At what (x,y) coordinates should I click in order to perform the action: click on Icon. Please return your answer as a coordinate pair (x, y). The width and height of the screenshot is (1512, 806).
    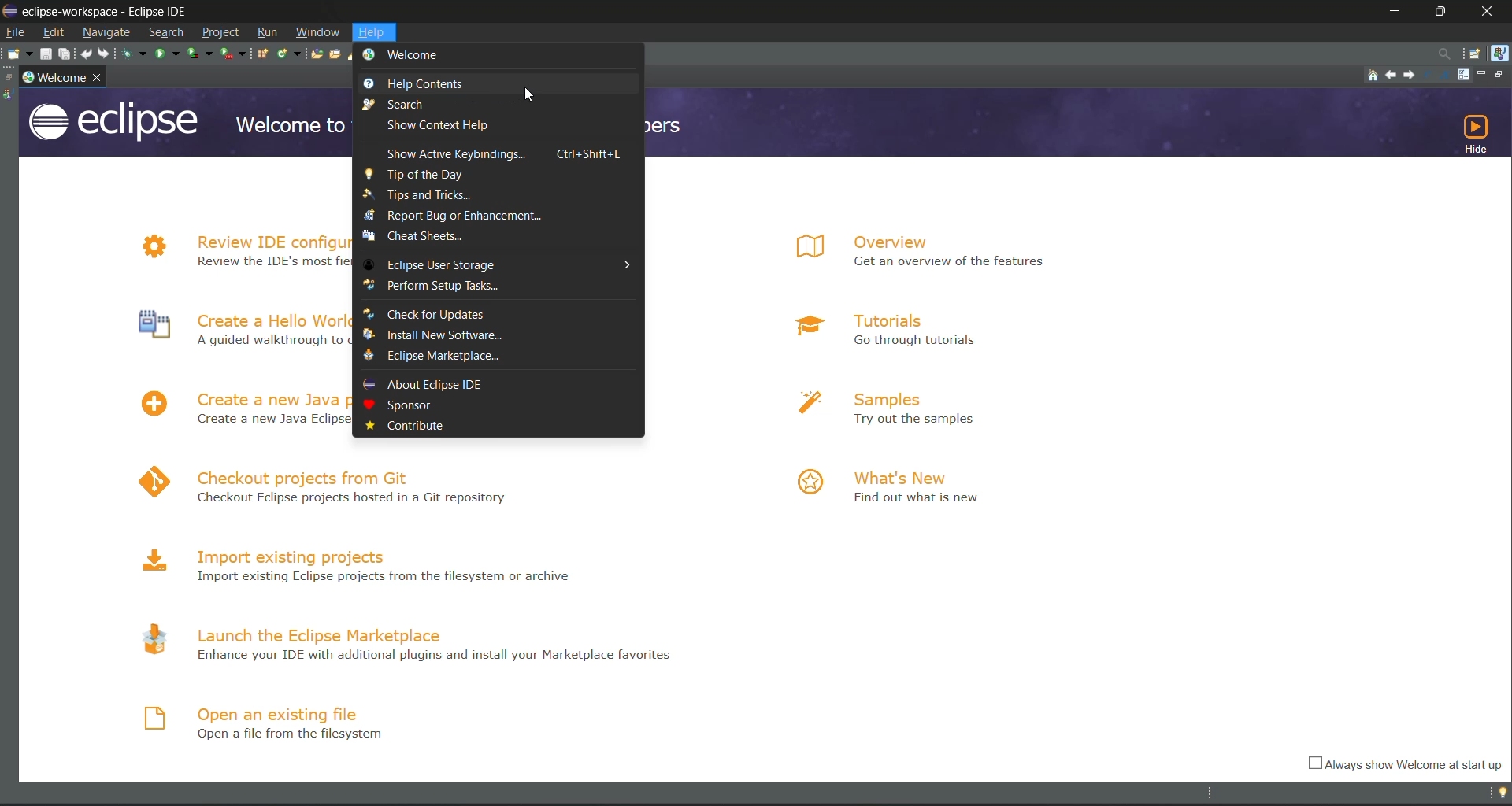
    Looking at the image, I should click on (155, 326).